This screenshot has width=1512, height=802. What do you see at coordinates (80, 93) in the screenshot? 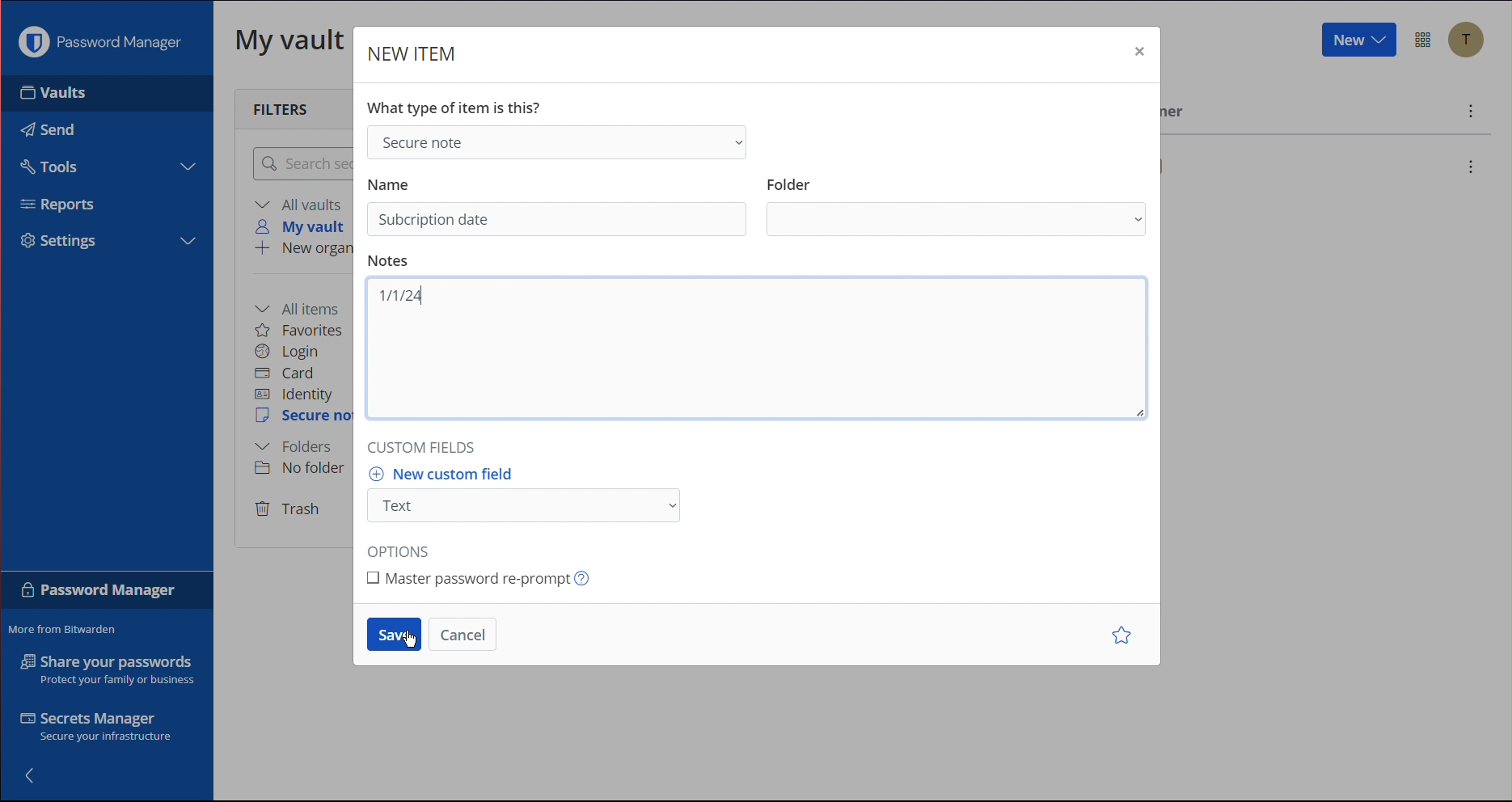
I see `Vaults` at bounding box center [80, 93].